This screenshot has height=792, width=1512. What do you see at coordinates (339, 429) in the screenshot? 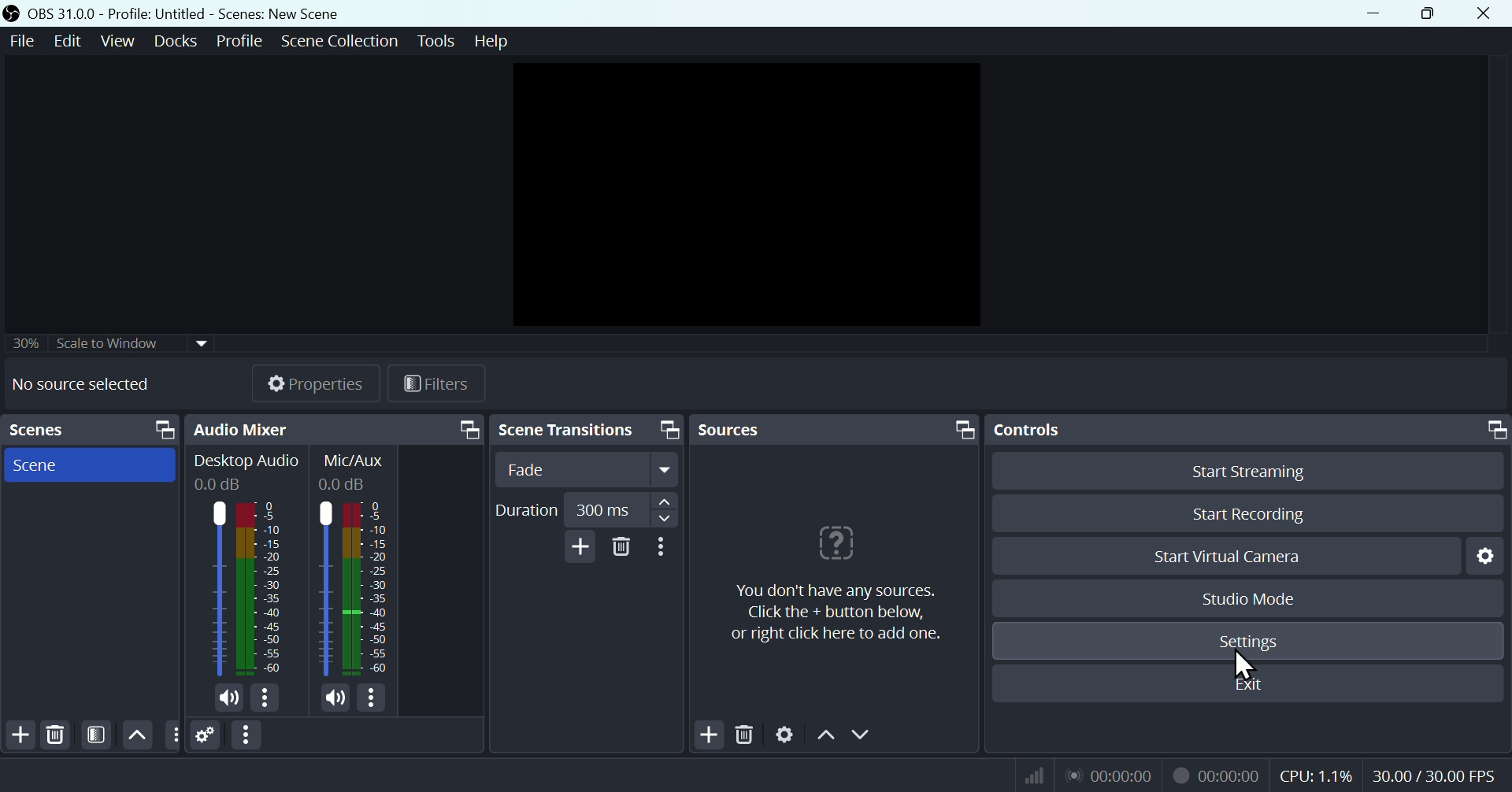
I see `Audio mixer` at bounding box center [339, 429].